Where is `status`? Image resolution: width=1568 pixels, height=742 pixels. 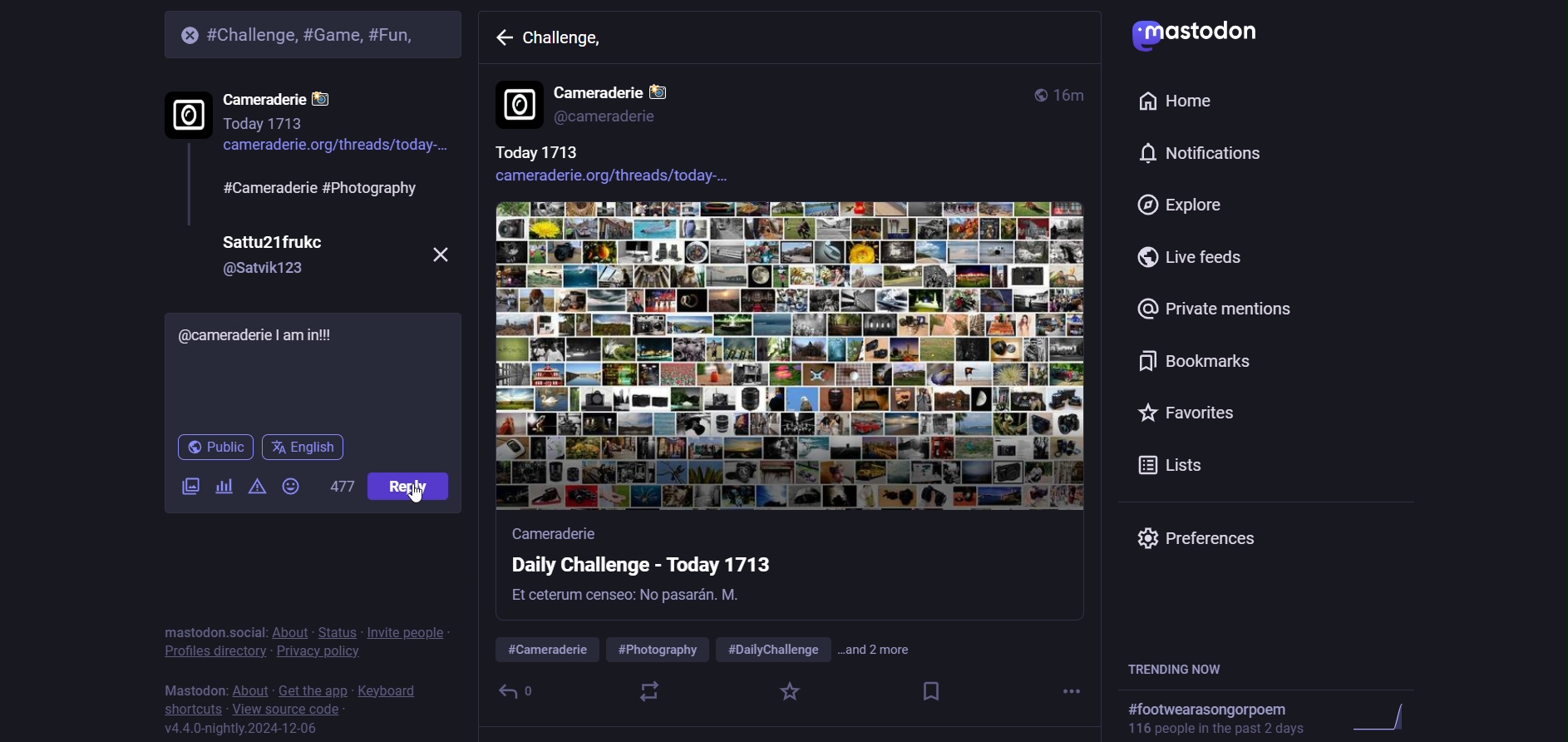
status is located at coordinates (339, 630).